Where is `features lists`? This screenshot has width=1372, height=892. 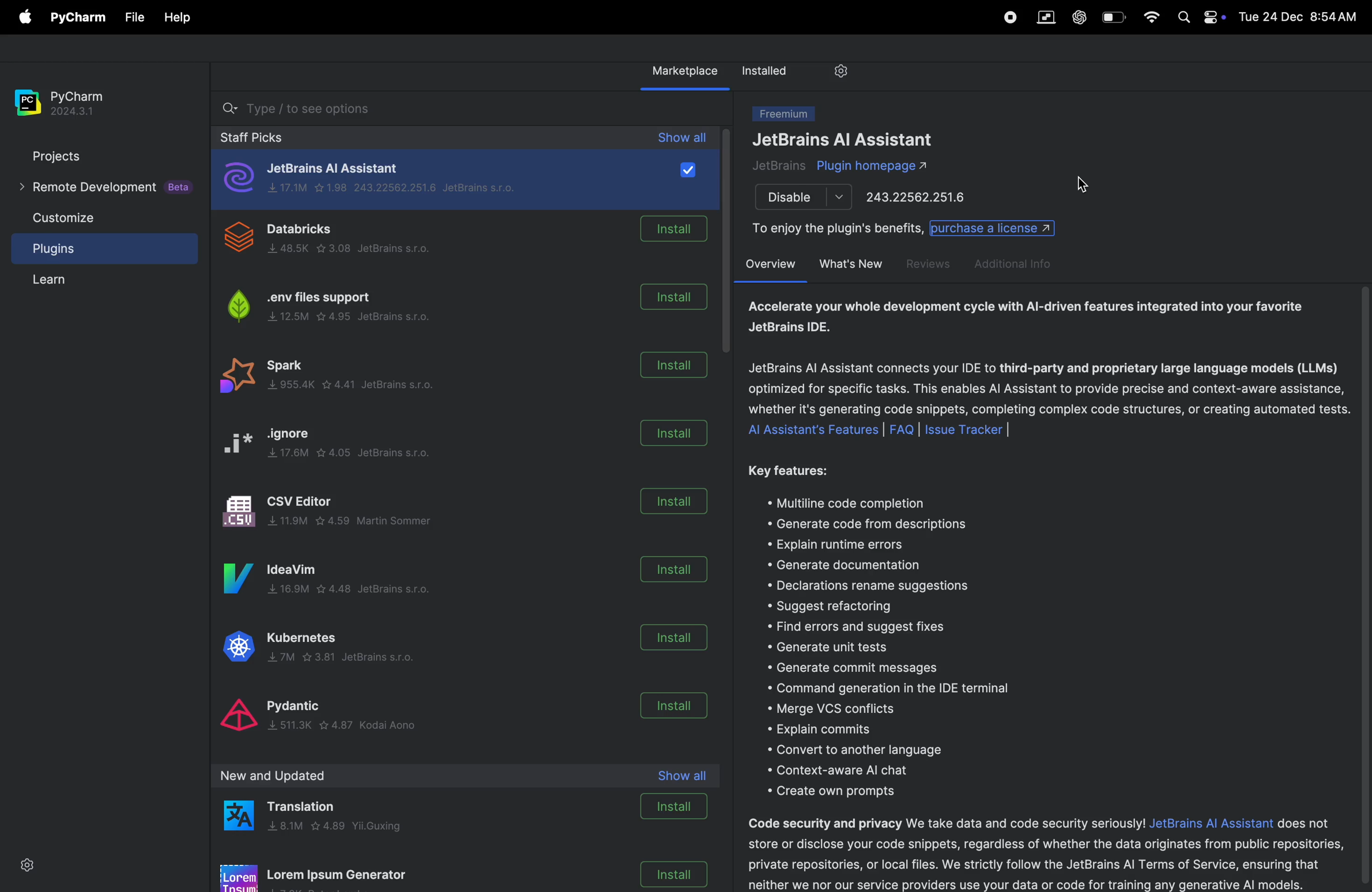 features lists is located at coordinates (891, 647).